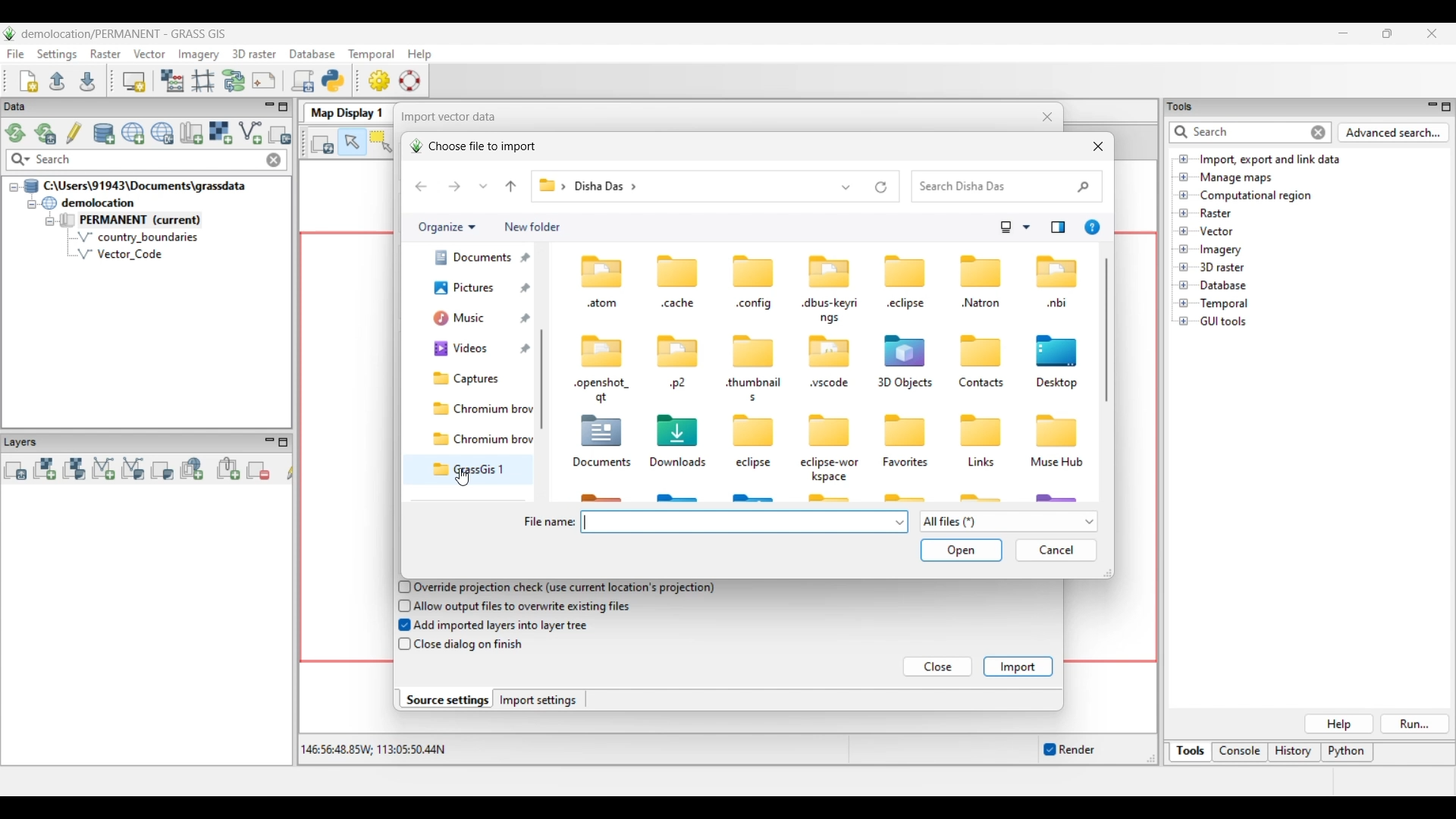 The image size is (1456, 819). What do you see at coordinates (371, 55) in the screenshot?
I see `Temporal menu` at bounding box center [371, 55].